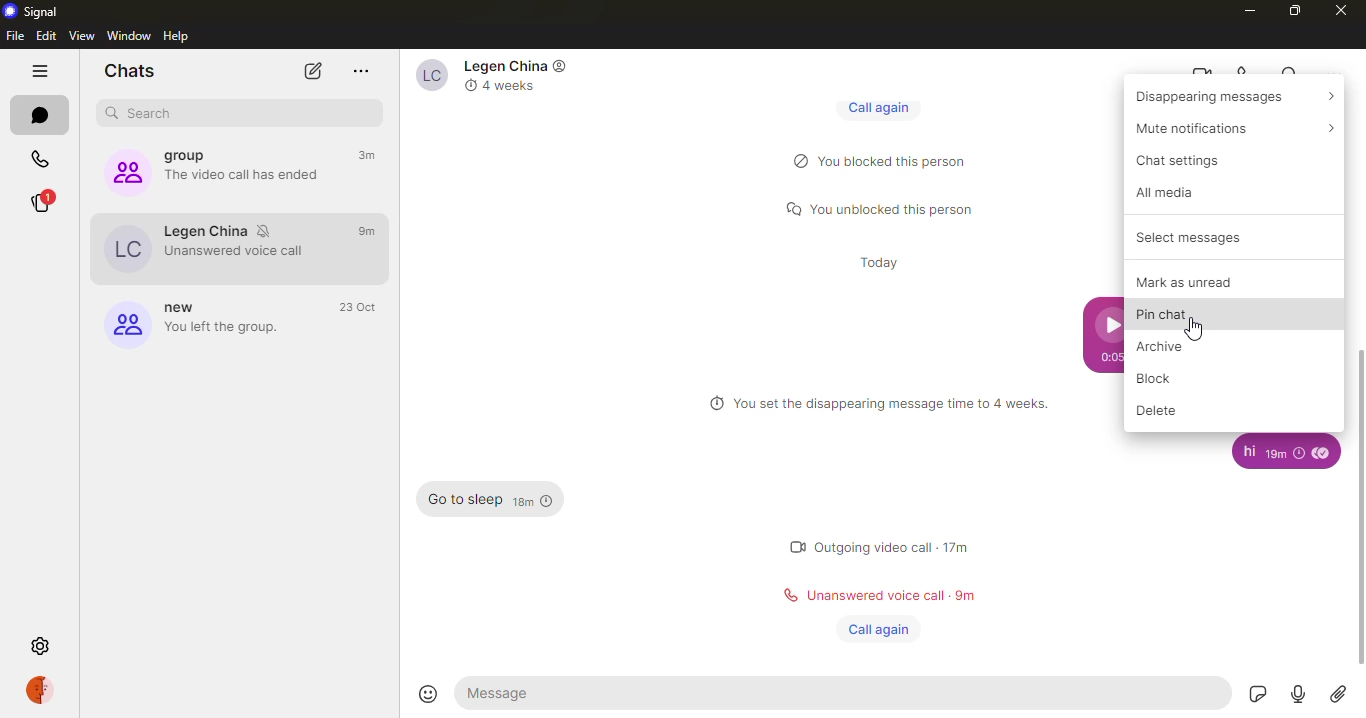 The width and height of the screenshot is (1366, 718). Describe the element at coordinates (1156, 346) in the screenshot. I see `archive` at that location.